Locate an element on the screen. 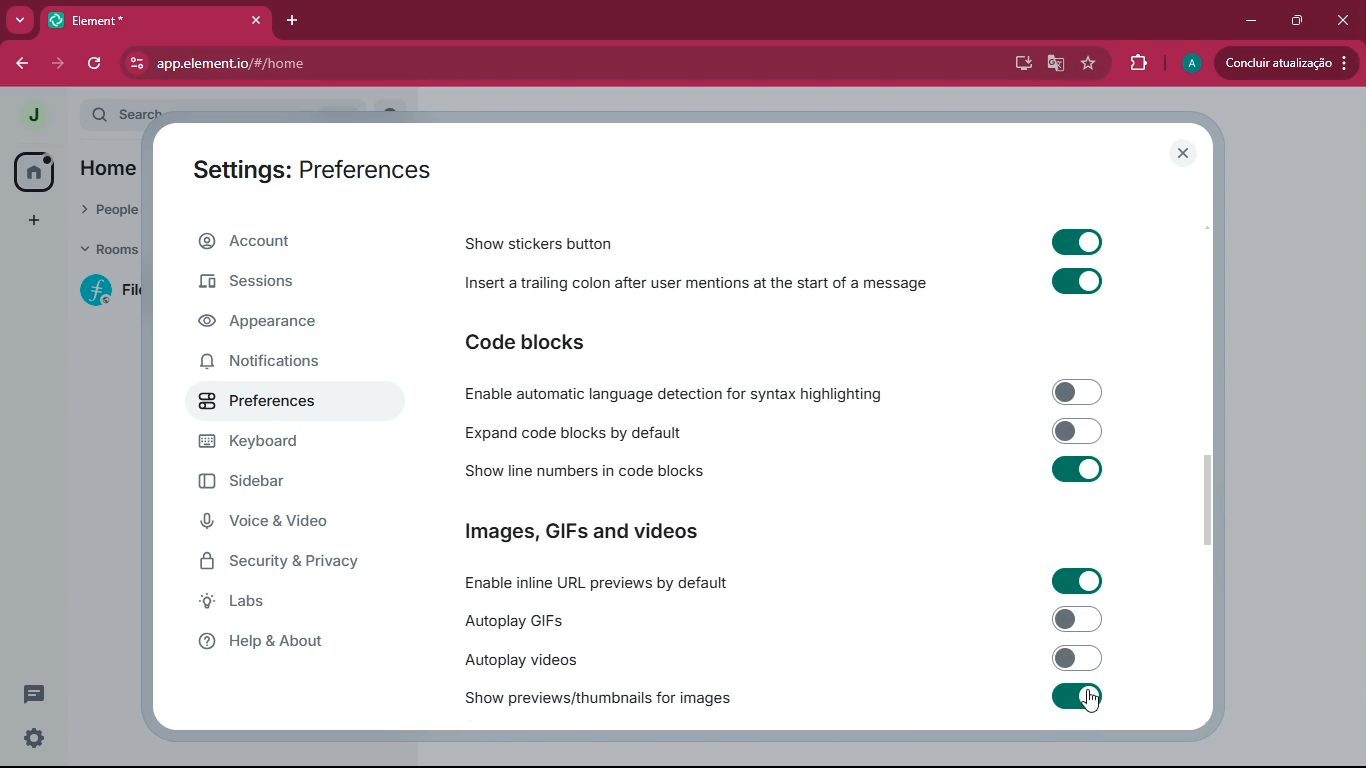  Autoplay GIFs is located at coordinates (523, 619).